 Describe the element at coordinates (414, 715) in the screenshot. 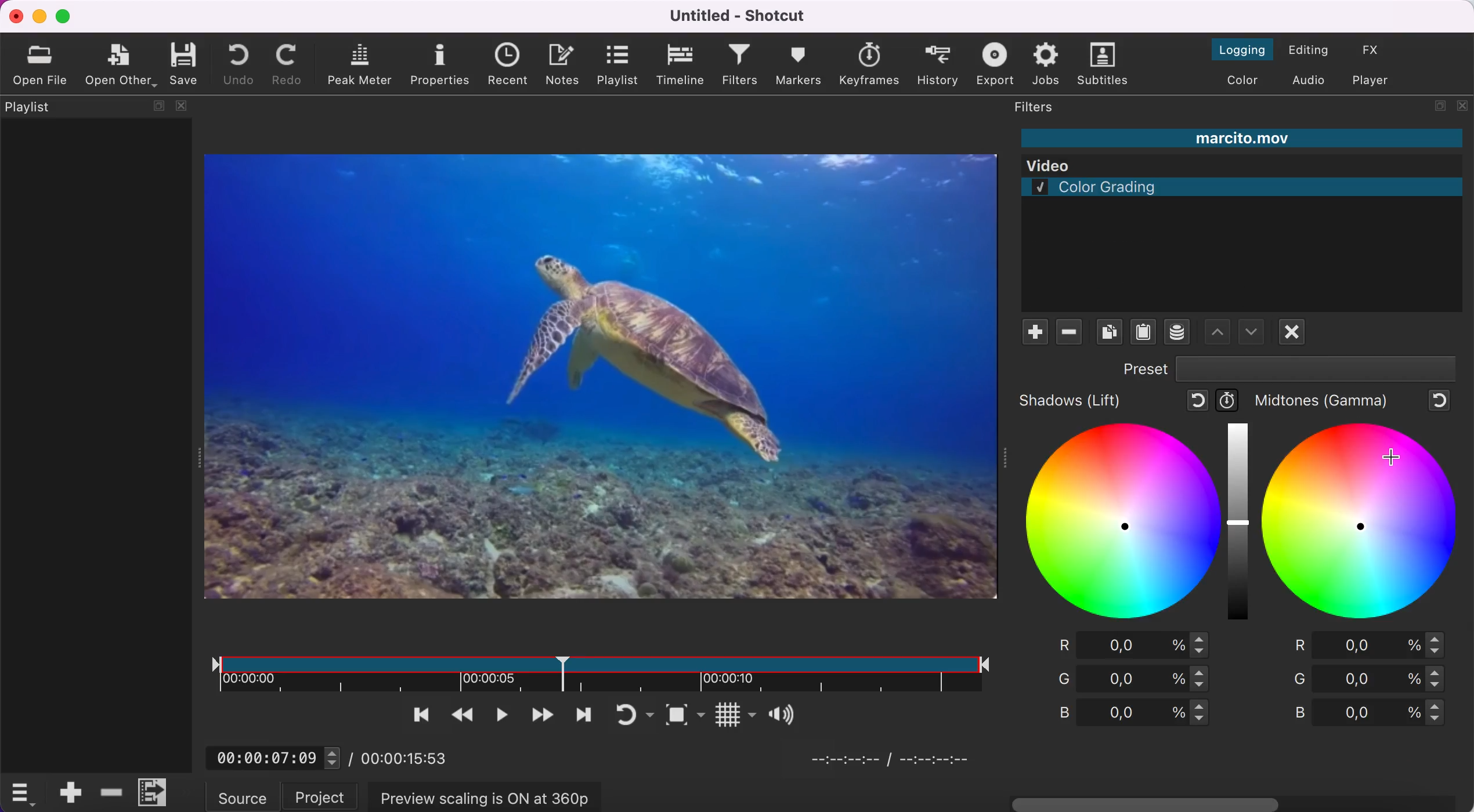

I see `skip to the previous point` at that location.